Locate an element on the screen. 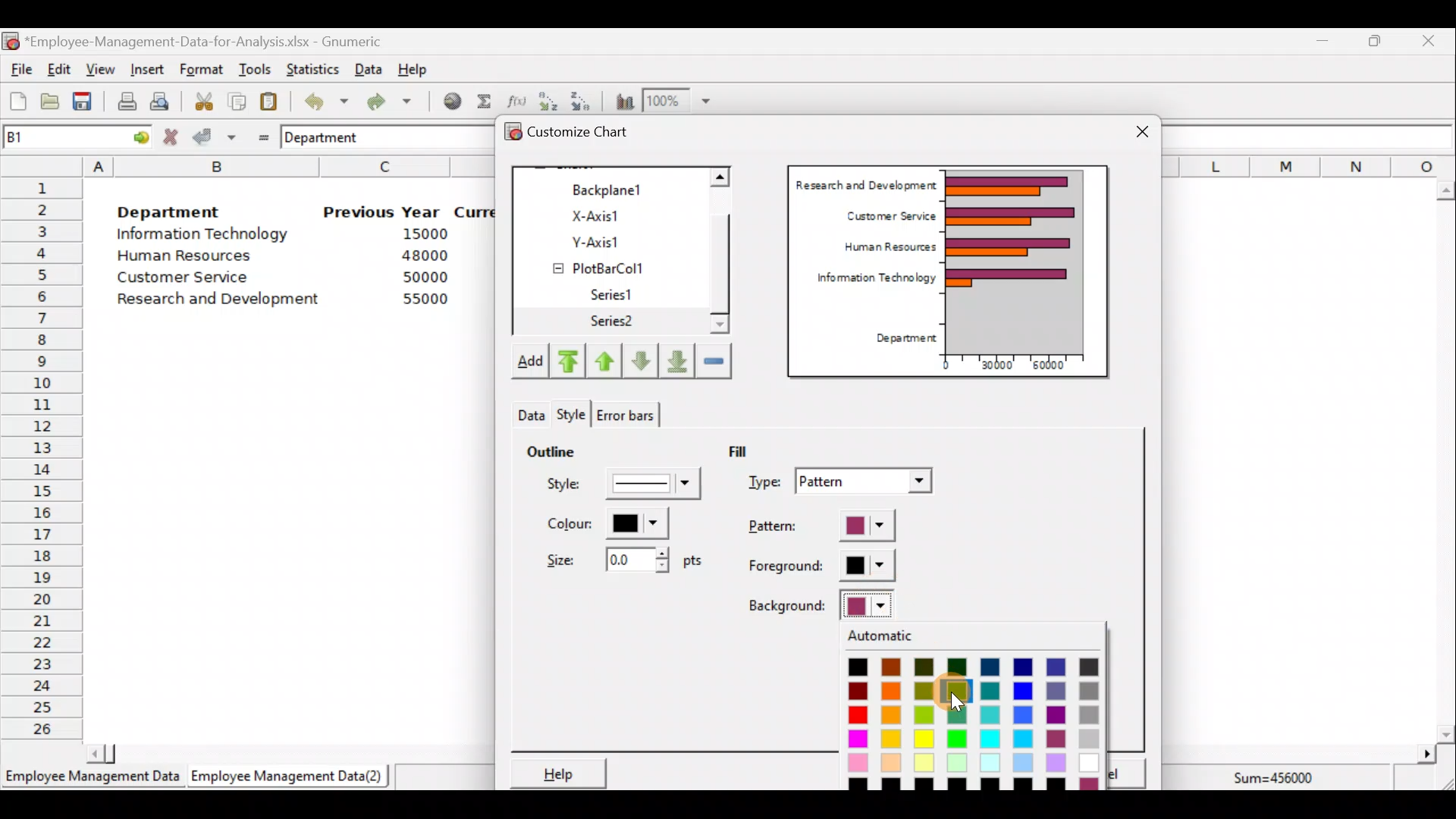  Create a new workbook is located at coordinates (18, 101).